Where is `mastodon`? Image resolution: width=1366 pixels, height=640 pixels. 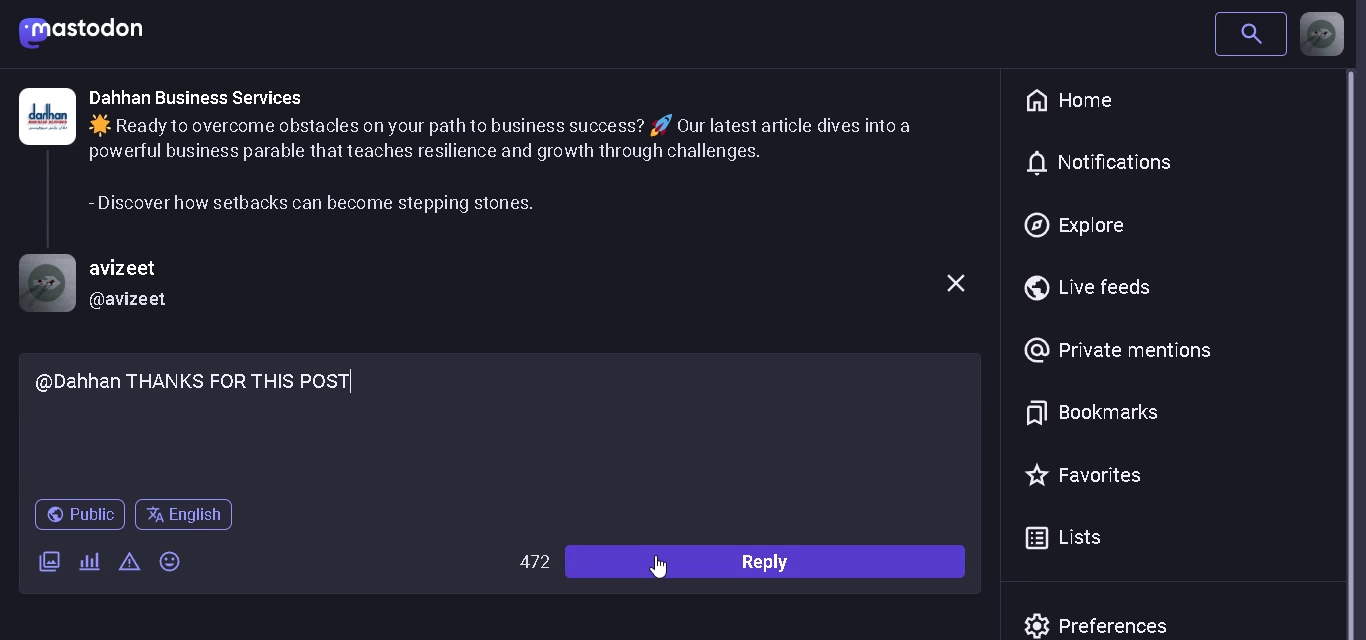 mastodon is located at coordinates (83, 32).